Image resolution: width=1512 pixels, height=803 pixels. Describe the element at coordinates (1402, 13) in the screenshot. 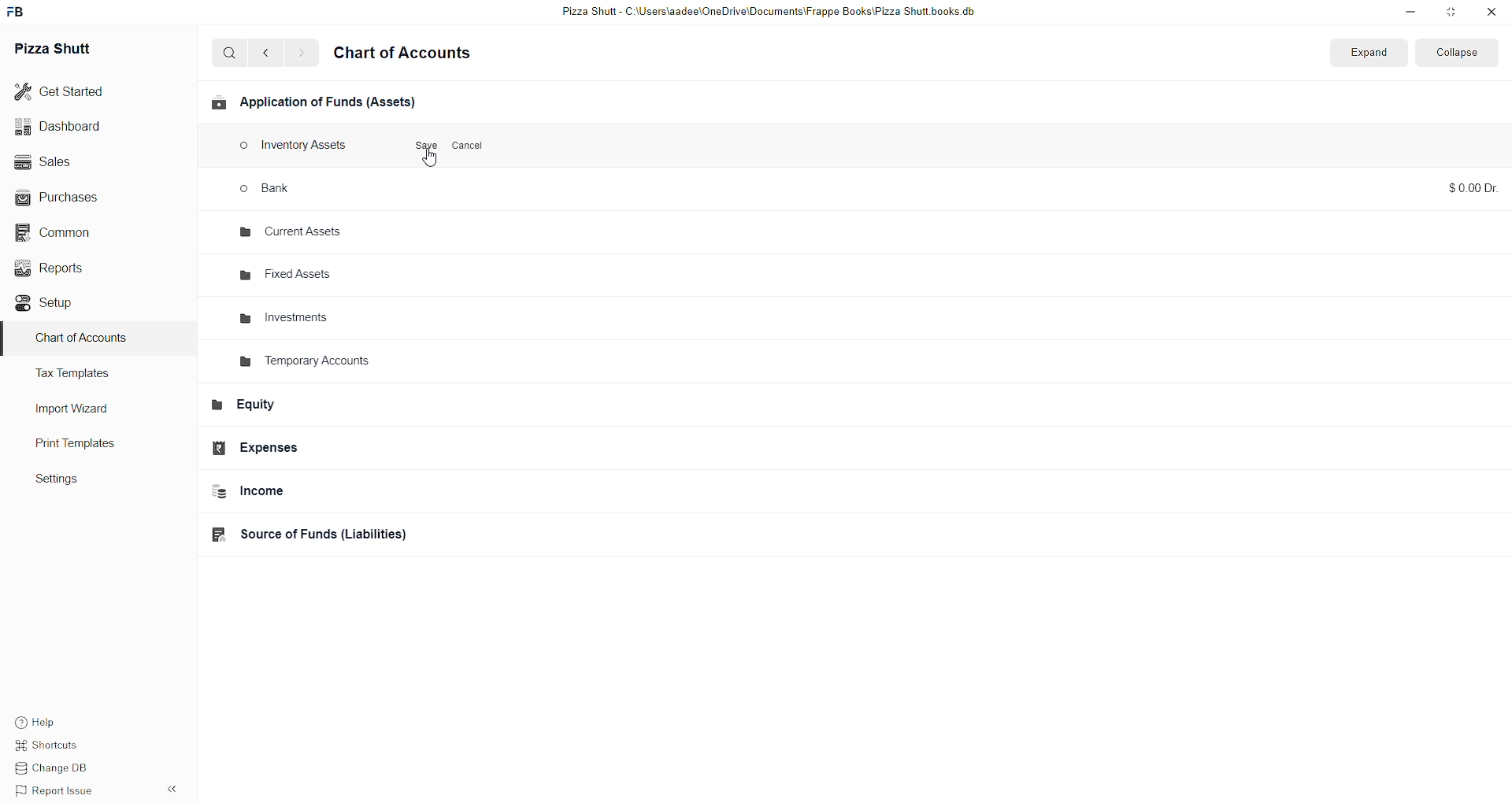

I see `minimize ` at that location.